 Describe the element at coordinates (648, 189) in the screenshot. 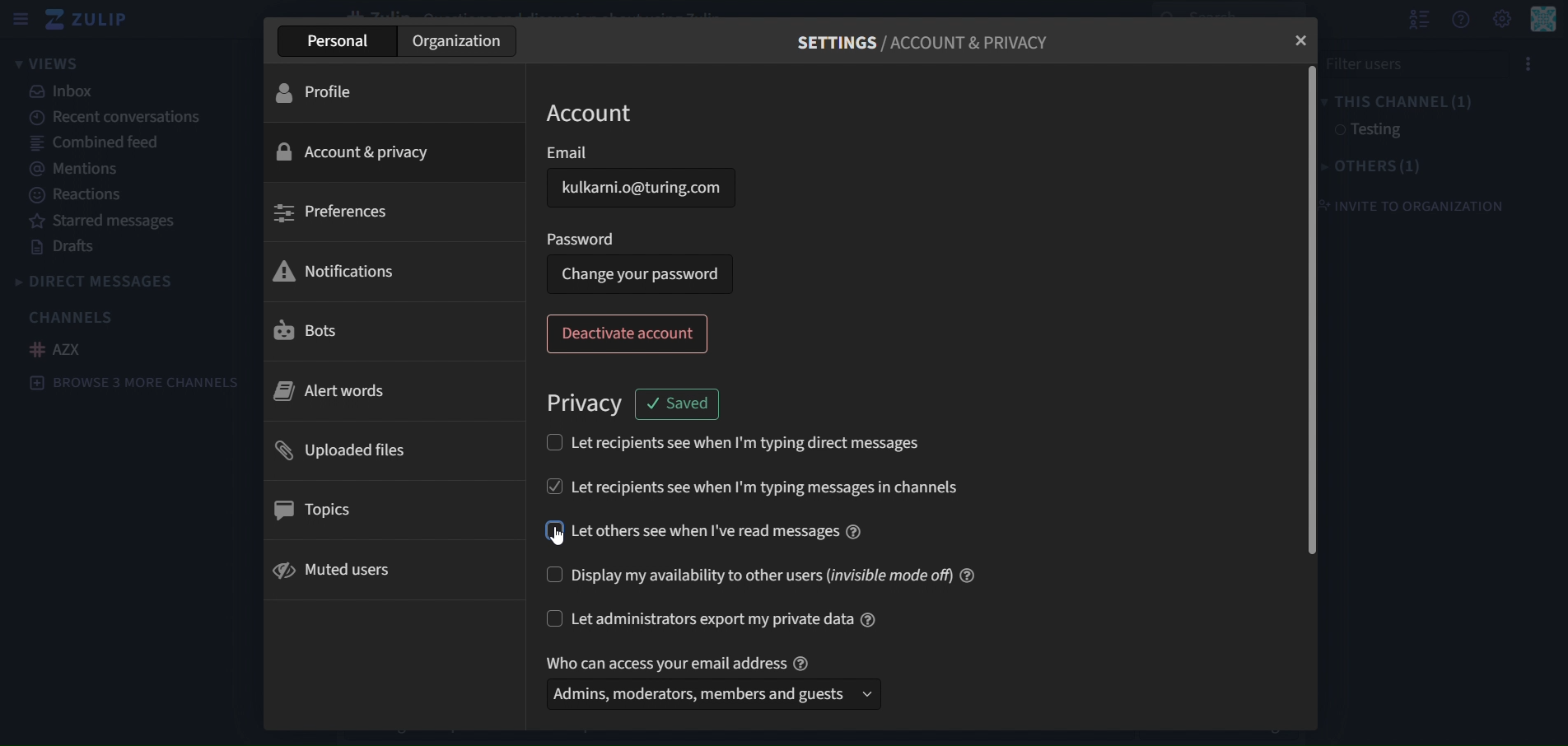

I see `kulkarni.o@turing.com` at that location.